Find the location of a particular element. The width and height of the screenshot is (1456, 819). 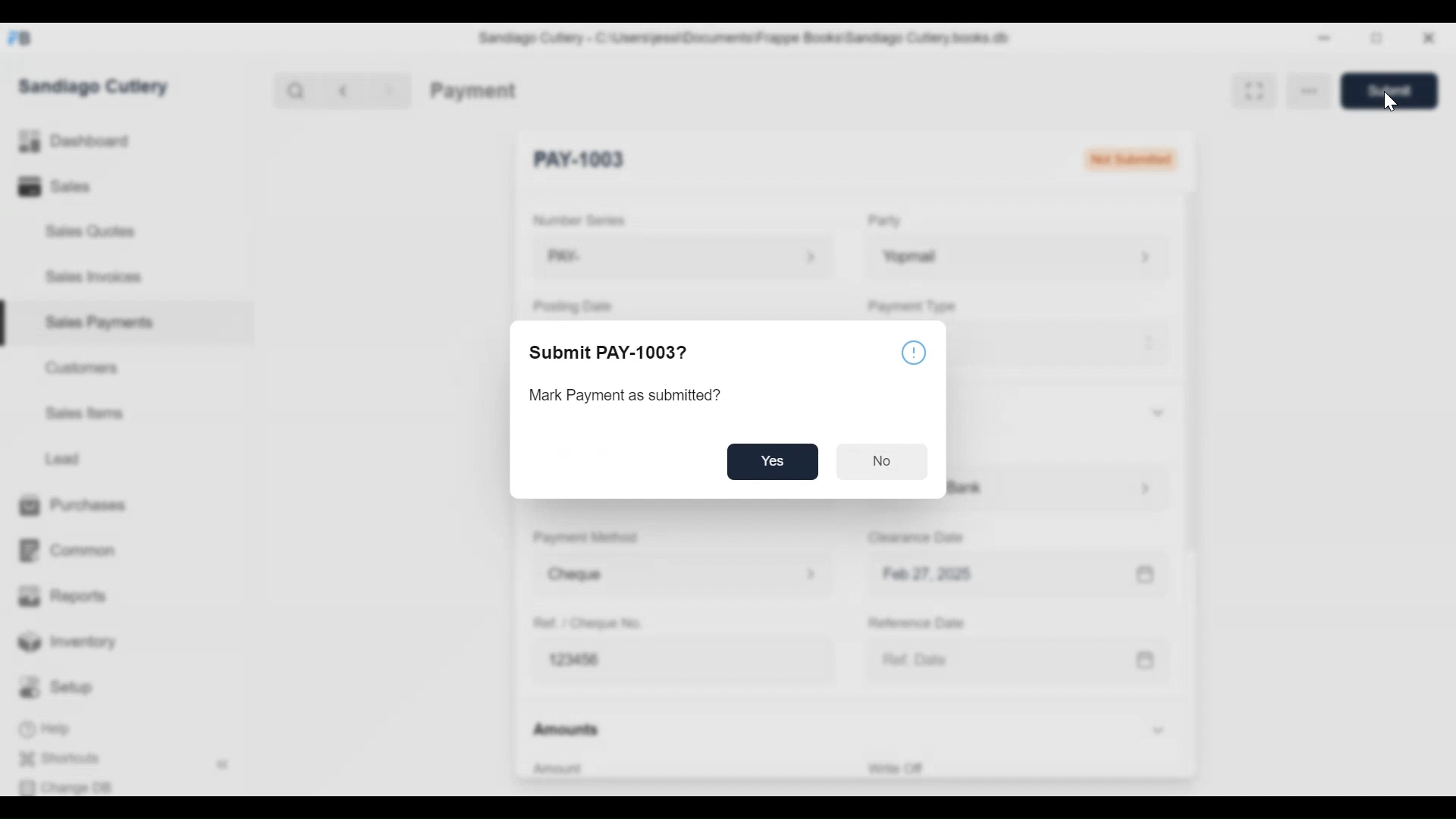

No is located at coordinates (881, 462).